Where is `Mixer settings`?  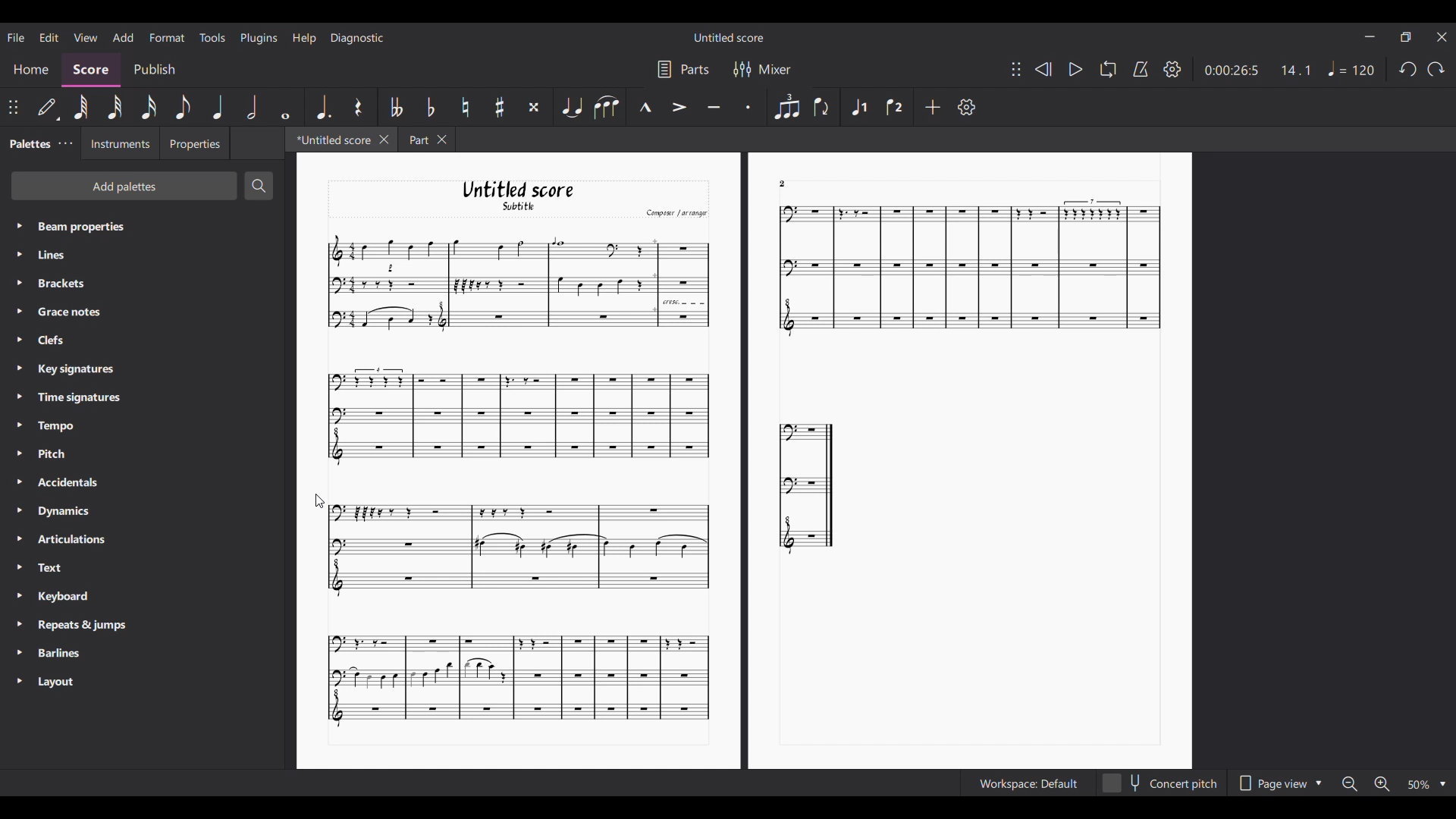
Mixer settings is located at coordinates (764, 69).